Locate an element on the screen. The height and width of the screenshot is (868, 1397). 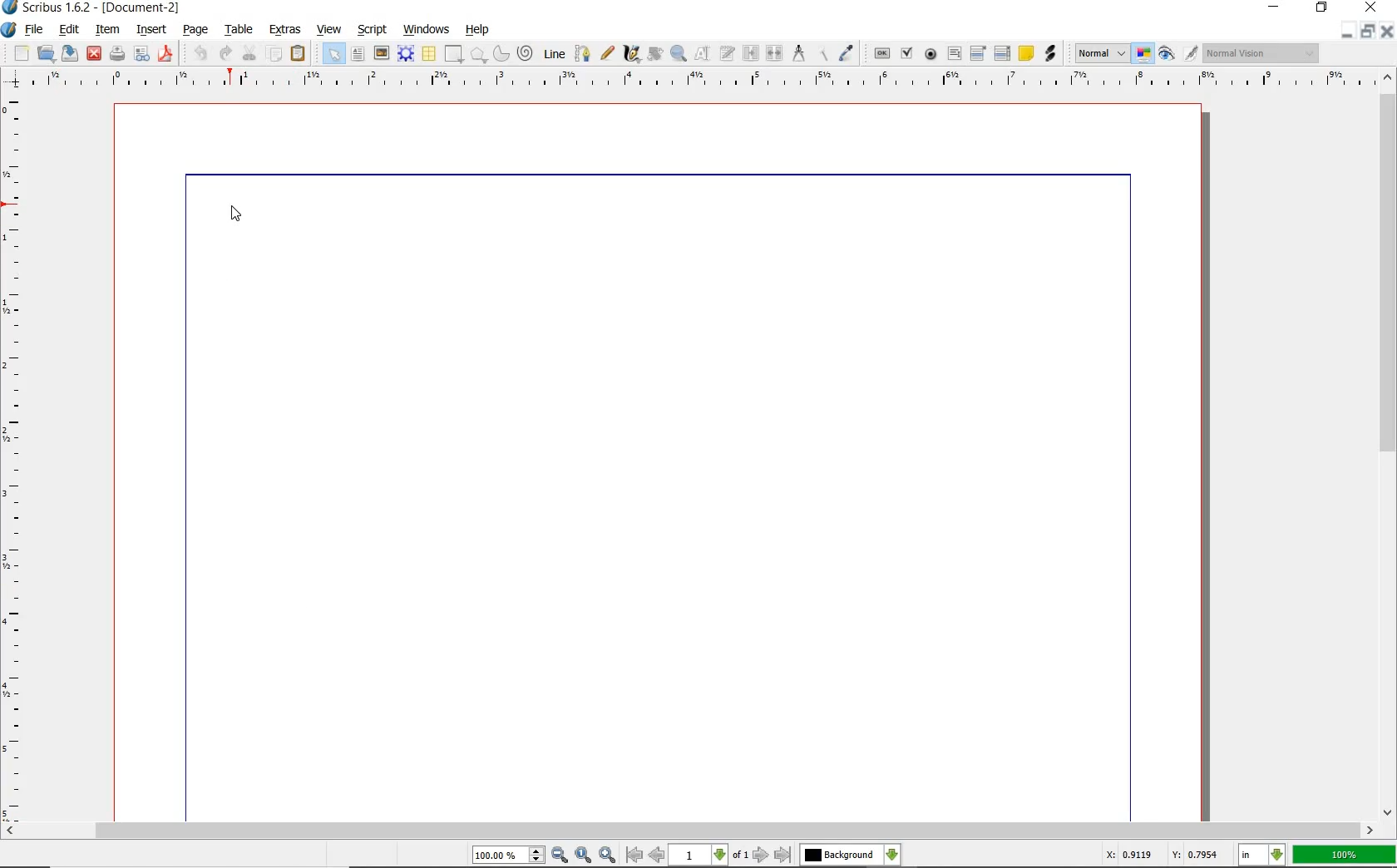
preview mode is located at coordinates (1164, 55).